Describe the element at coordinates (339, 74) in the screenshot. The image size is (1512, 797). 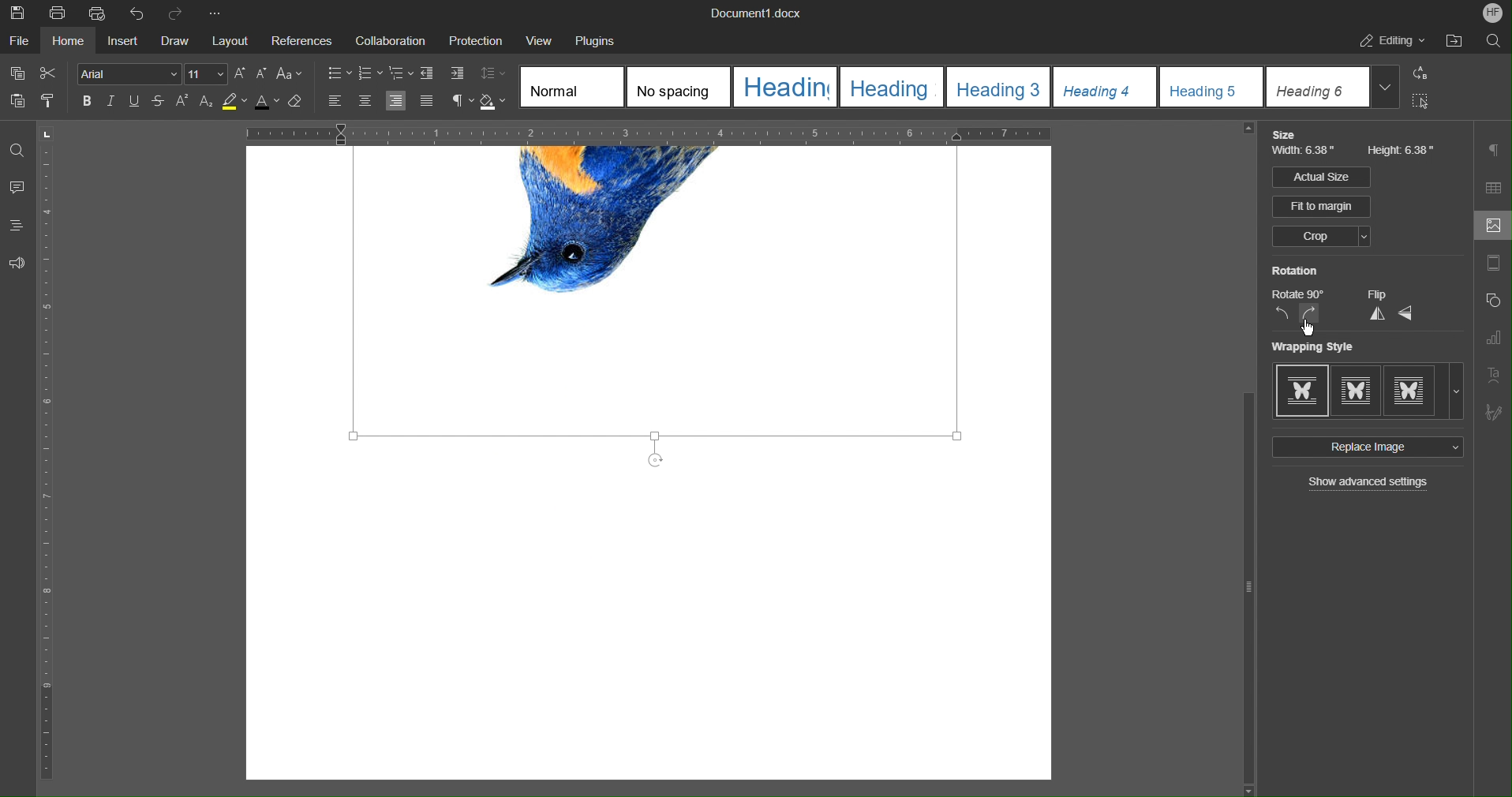
I see `Bullet Points` at that location.